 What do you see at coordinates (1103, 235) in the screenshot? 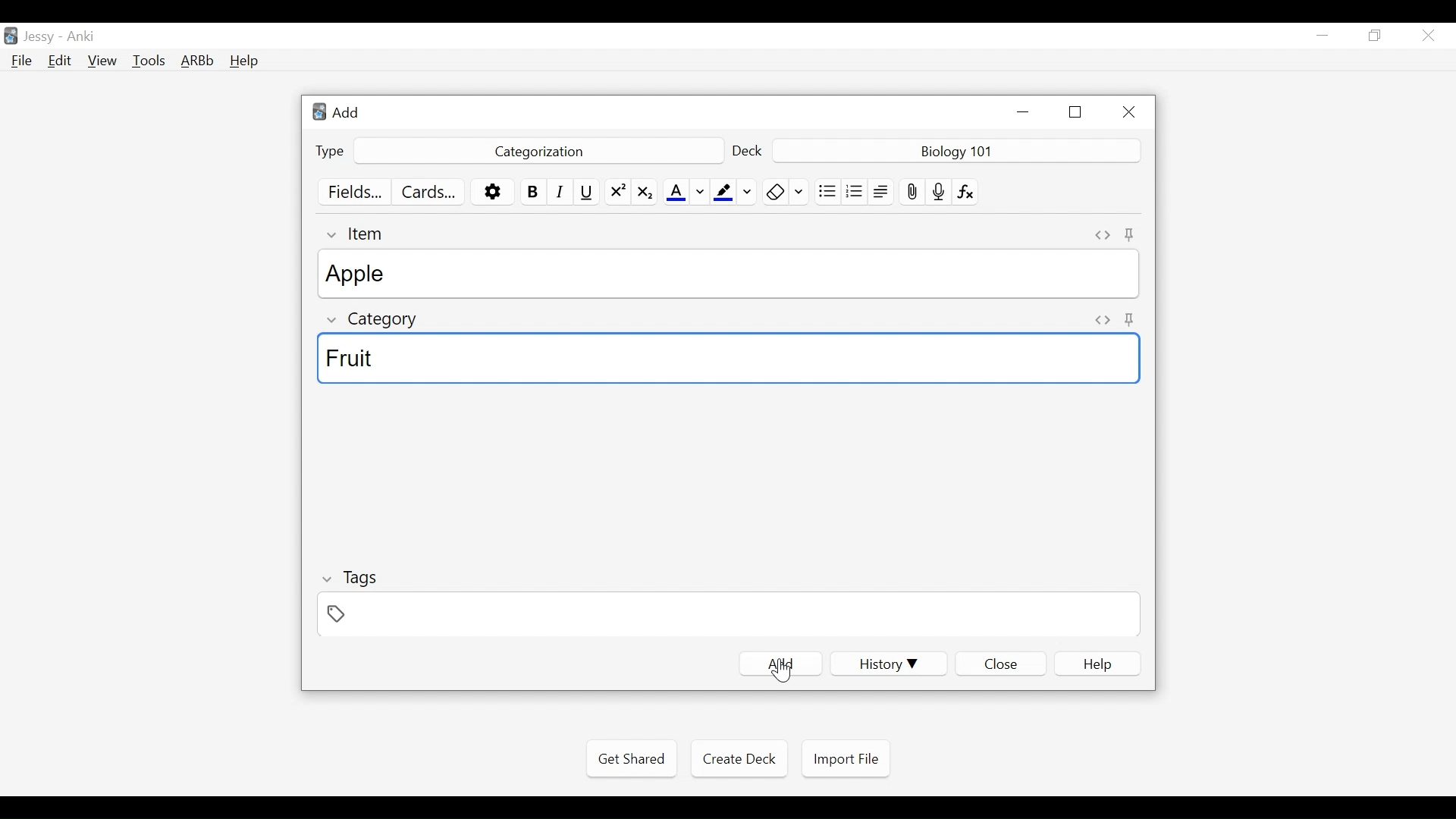
I see `Toggle HTML Editor` at bounding box center [1103, 235].